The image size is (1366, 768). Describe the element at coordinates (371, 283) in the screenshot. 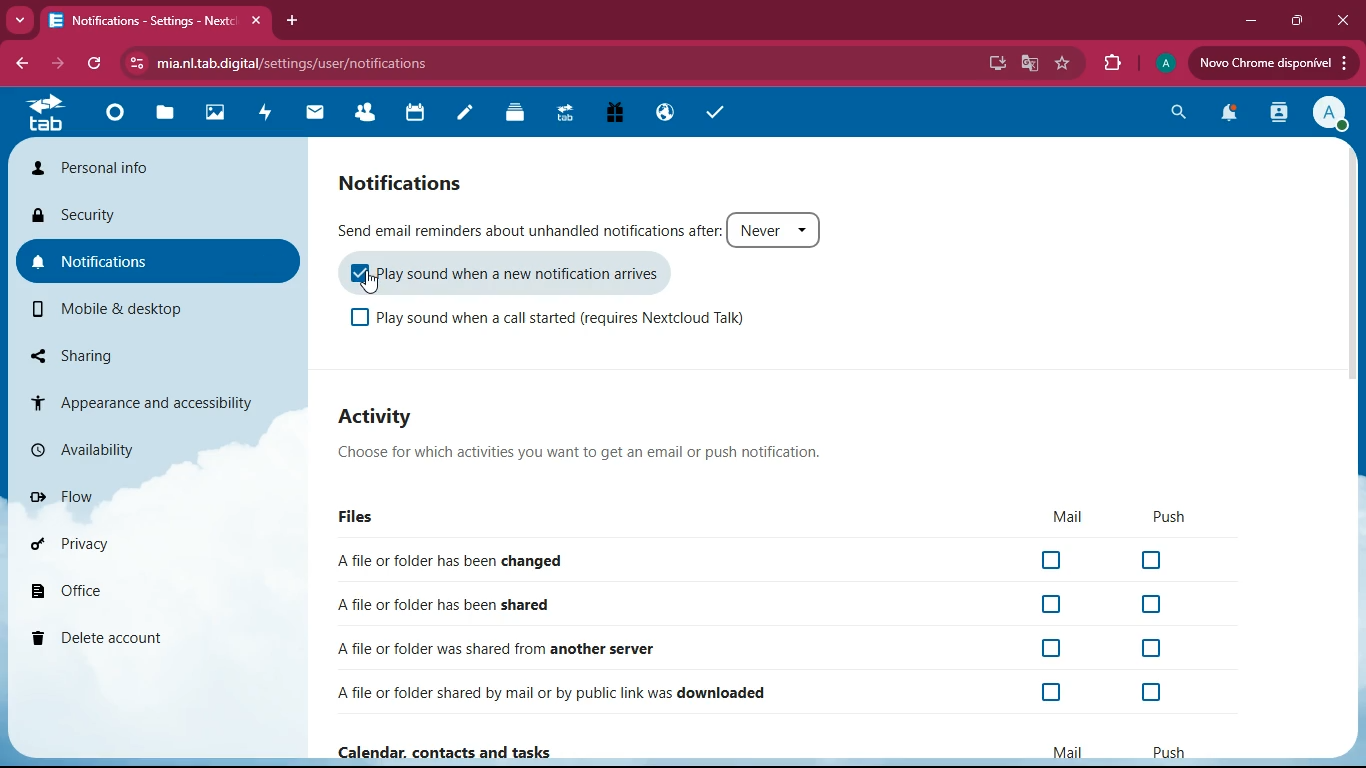

I see `pointing cursor` at that location.